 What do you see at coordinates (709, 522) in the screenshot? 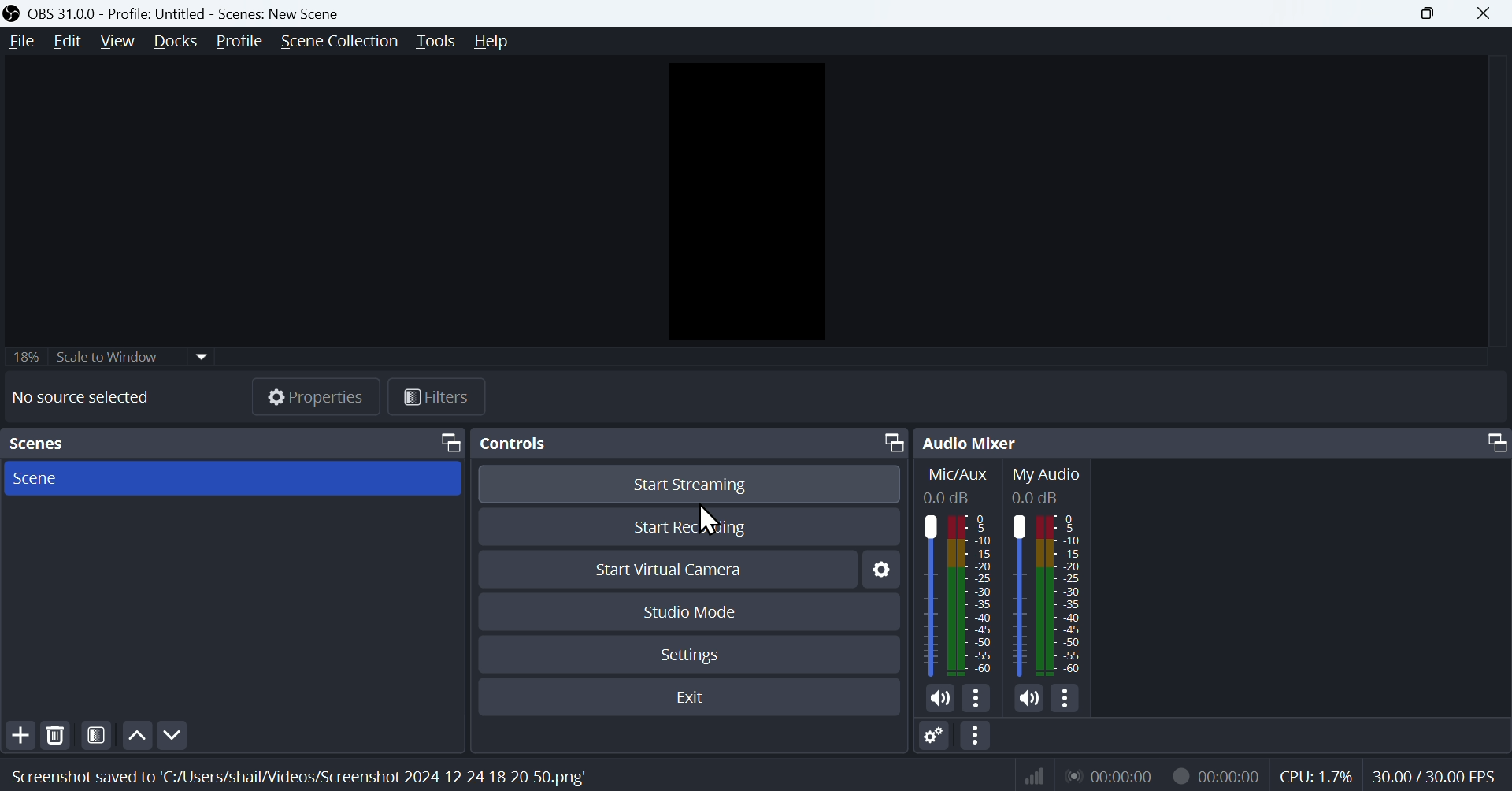
I see `Cursor` at bounding box center [709, 522].